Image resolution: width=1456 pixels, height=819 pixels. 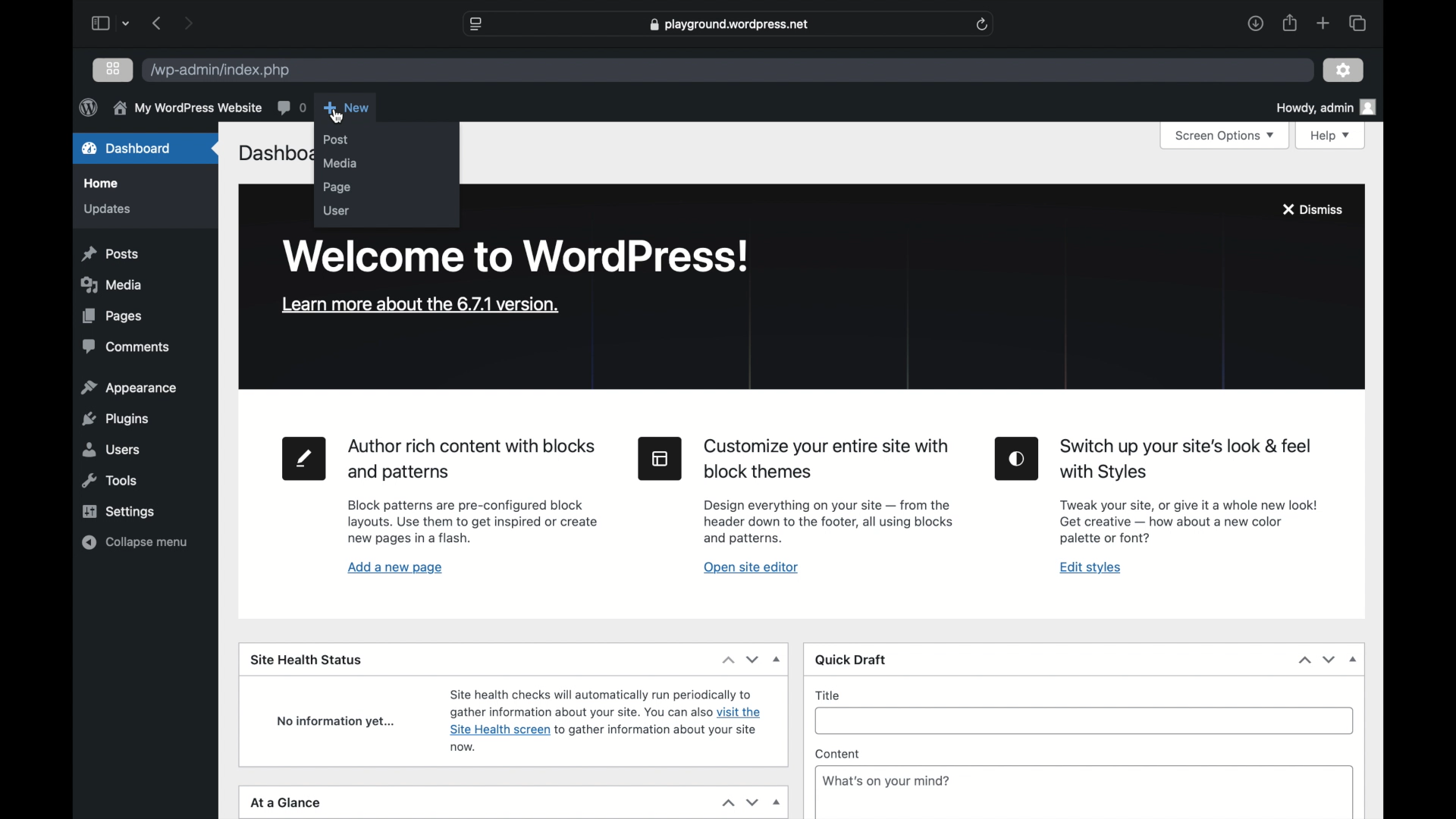 I want to click on What's on your mind?, so click(x=886, y=782).